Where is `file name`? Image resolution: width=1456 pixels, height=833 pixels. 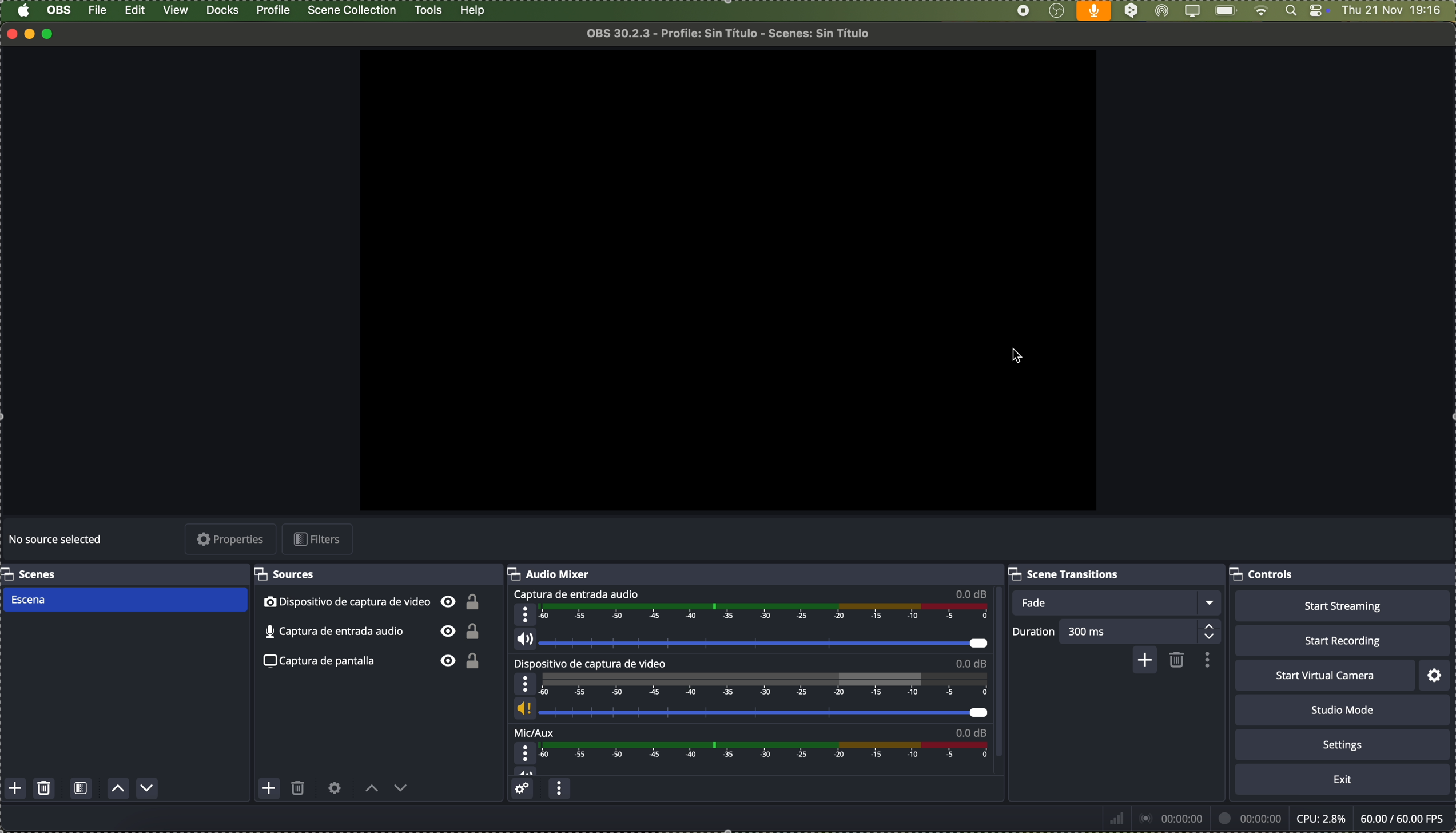 file name is located at coordinates (733, 33).